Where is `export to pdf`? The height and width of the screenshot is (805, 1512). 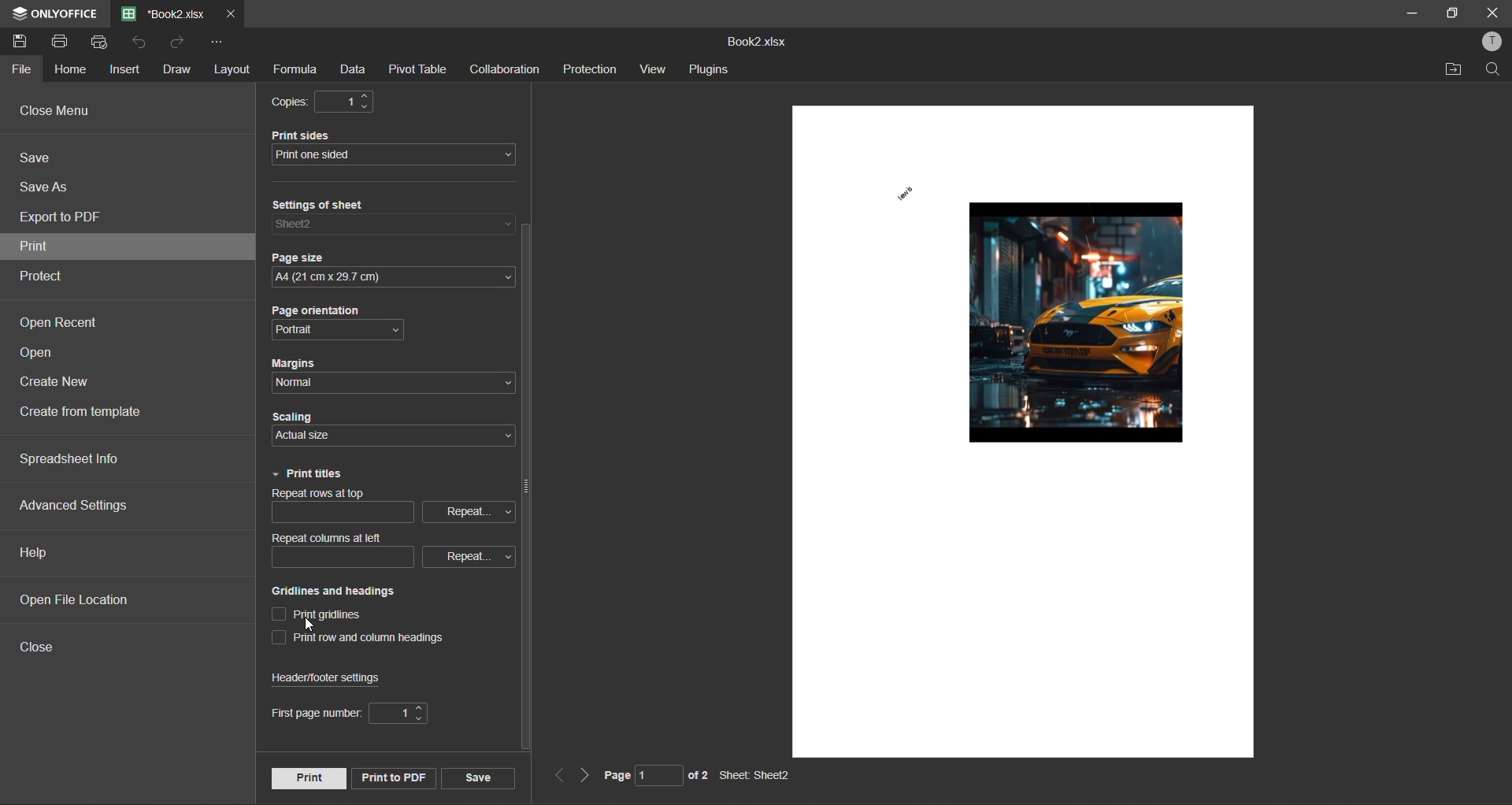
export to pdf is located at coordinates (63, 218).